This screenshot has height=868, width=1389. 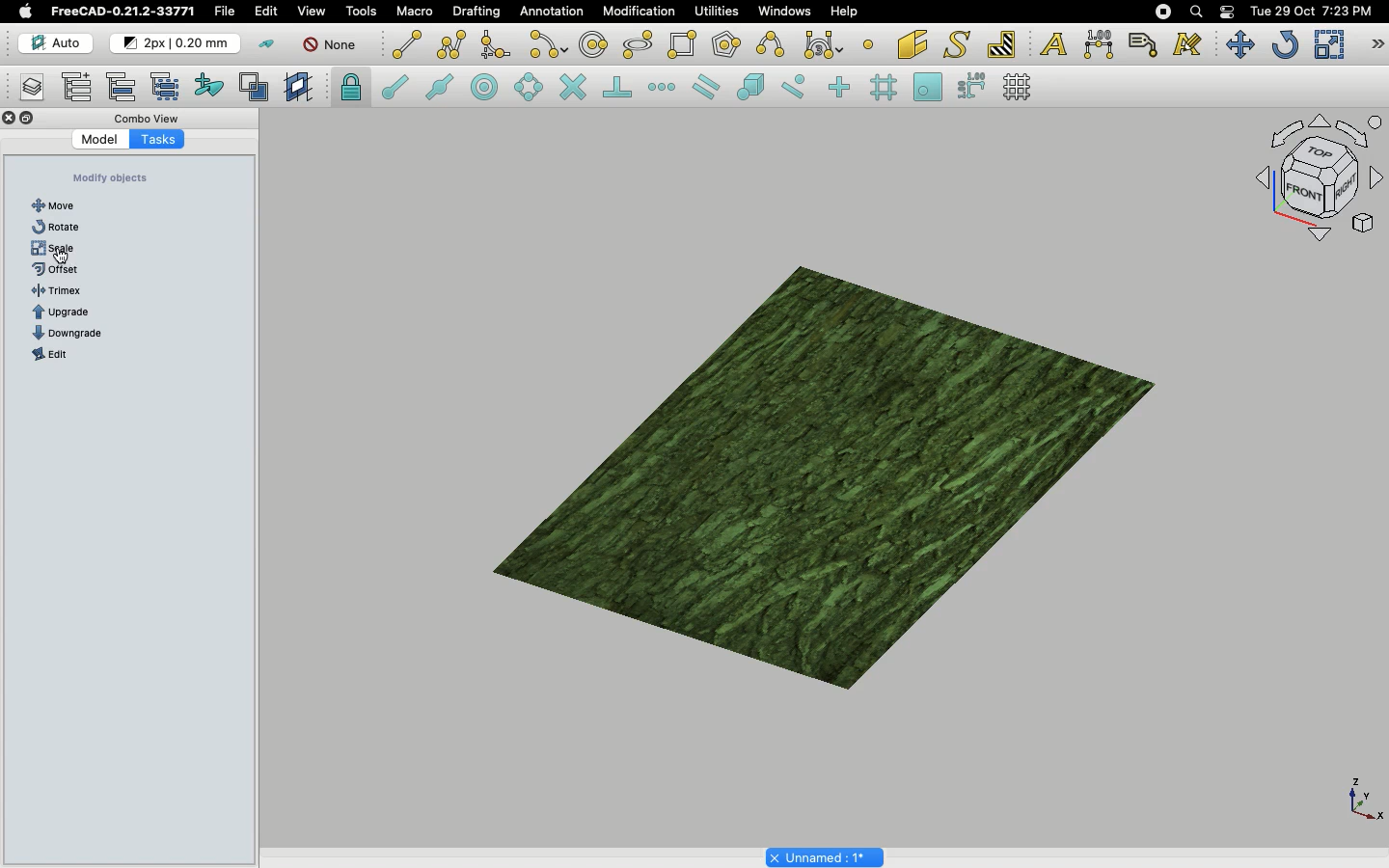 What do you see at coordinates (101, 140) in the screenshot?
I see `Model` at bounding box center [101, 140].